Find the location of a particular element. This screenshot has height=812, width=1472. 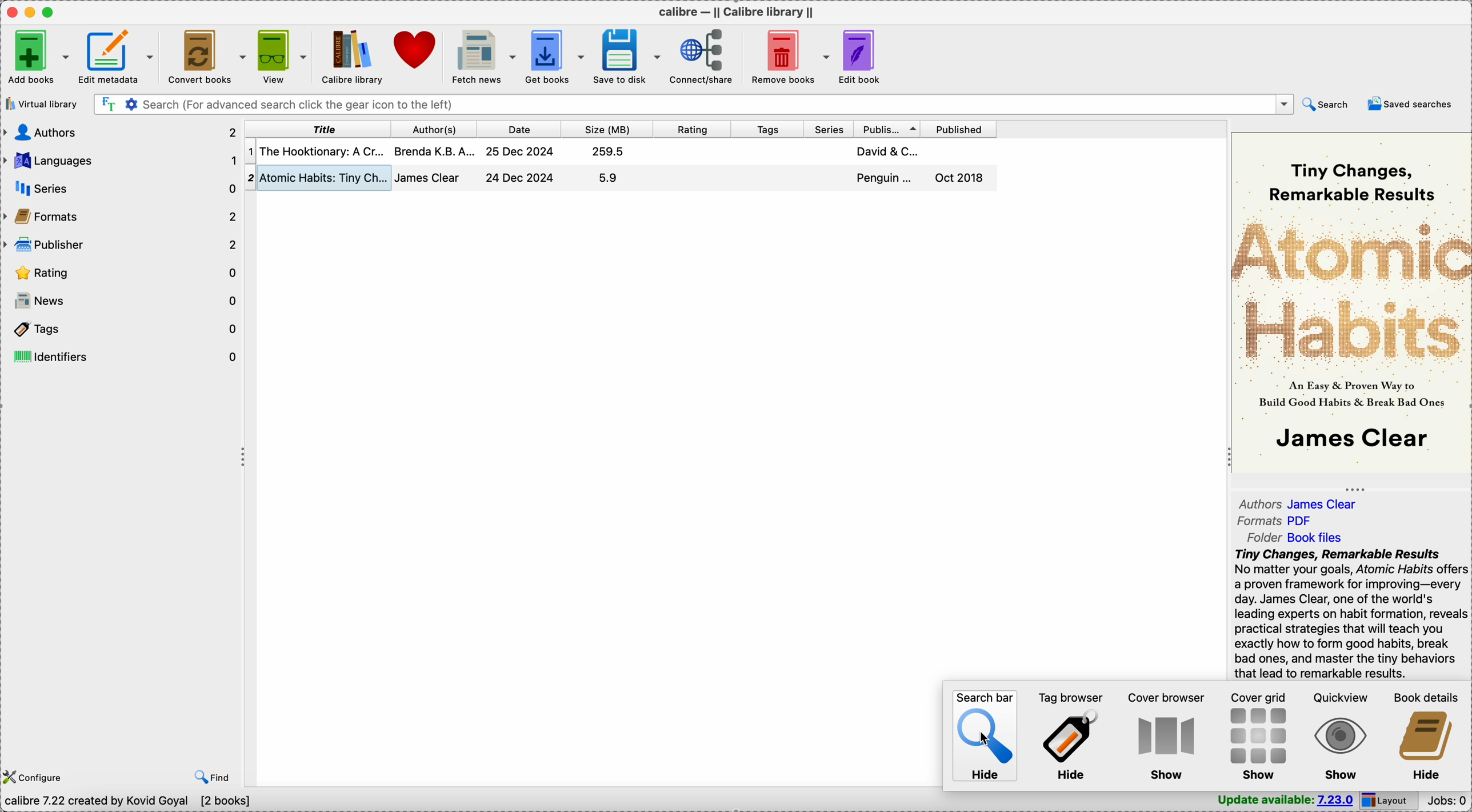

show quickview is located at coordinates (1342, 736).